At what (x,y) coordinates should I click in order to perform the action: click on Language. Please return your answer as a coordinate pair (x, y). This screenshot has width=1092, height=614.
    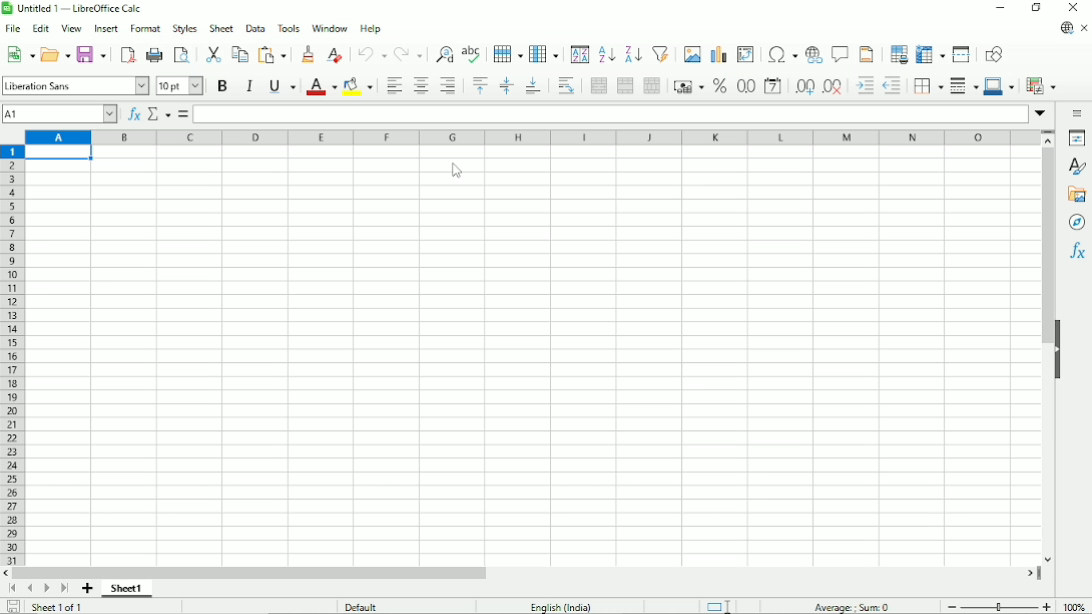
    Looking at the image, I should click on (562, 605).